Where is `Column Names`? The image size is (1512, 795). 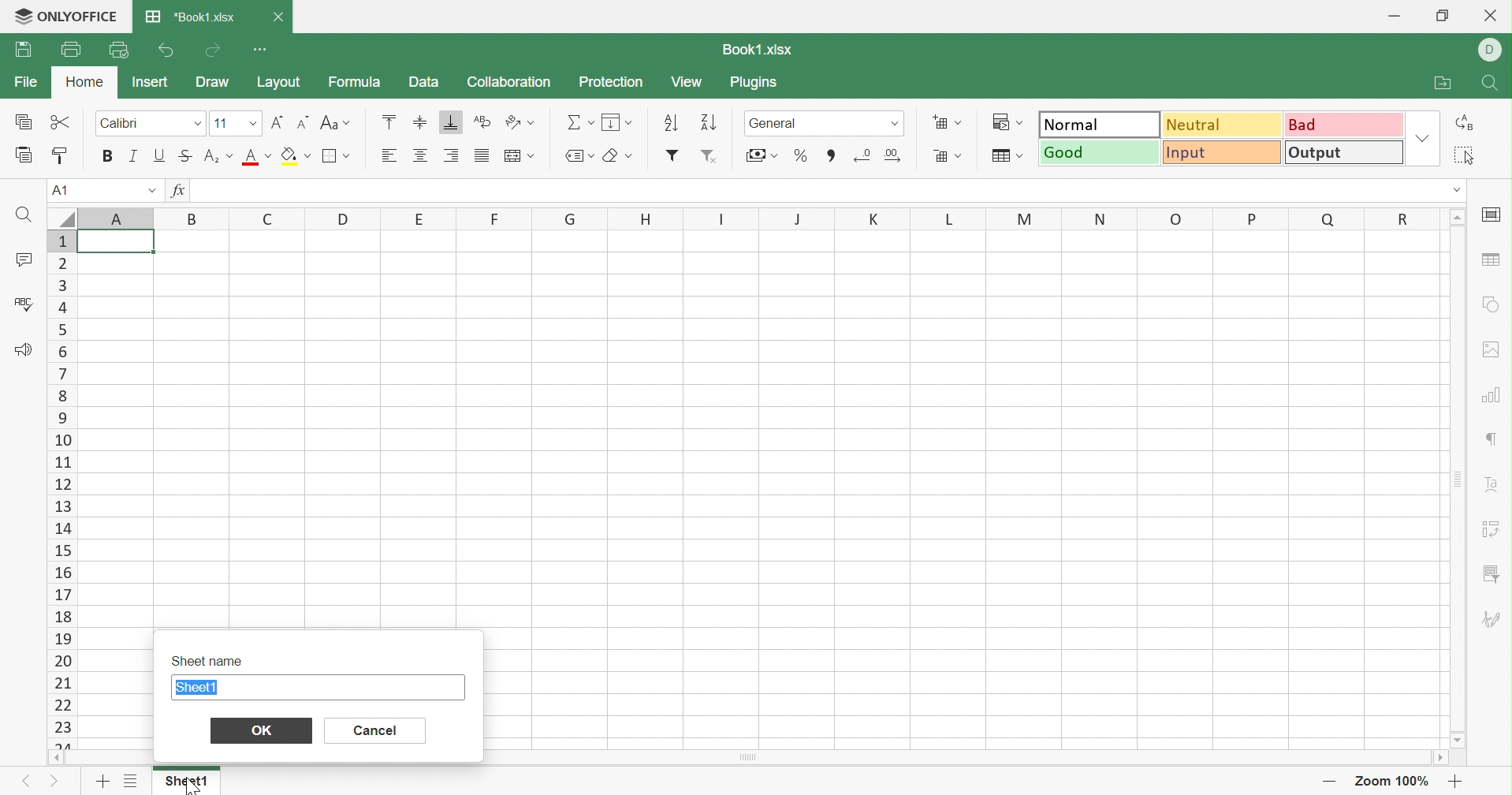
Column Names is located at coordinates (760, 217).